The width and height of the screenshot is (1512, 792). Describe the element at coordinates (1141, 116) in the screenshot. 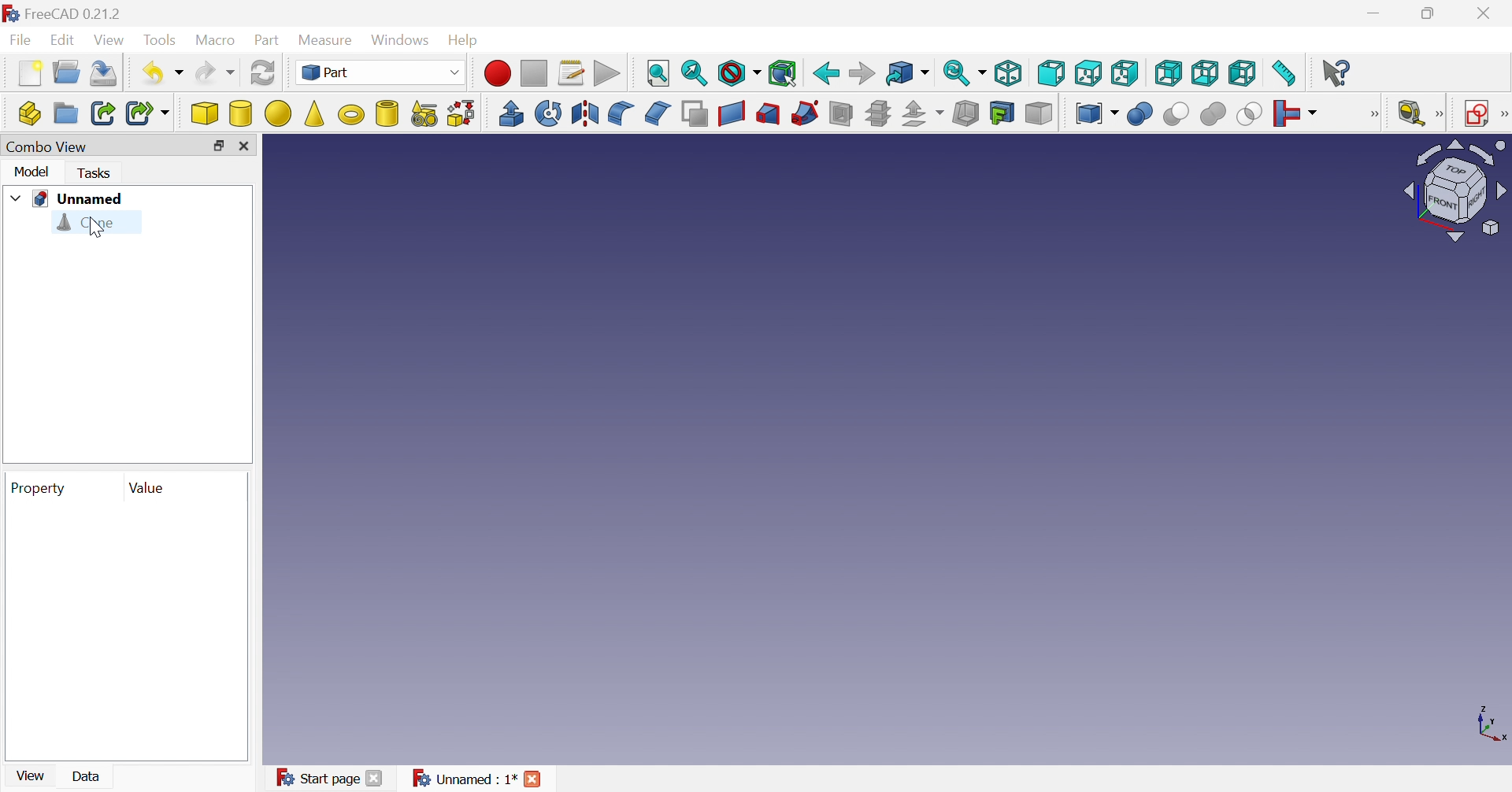

I see `Boolean` at that location.